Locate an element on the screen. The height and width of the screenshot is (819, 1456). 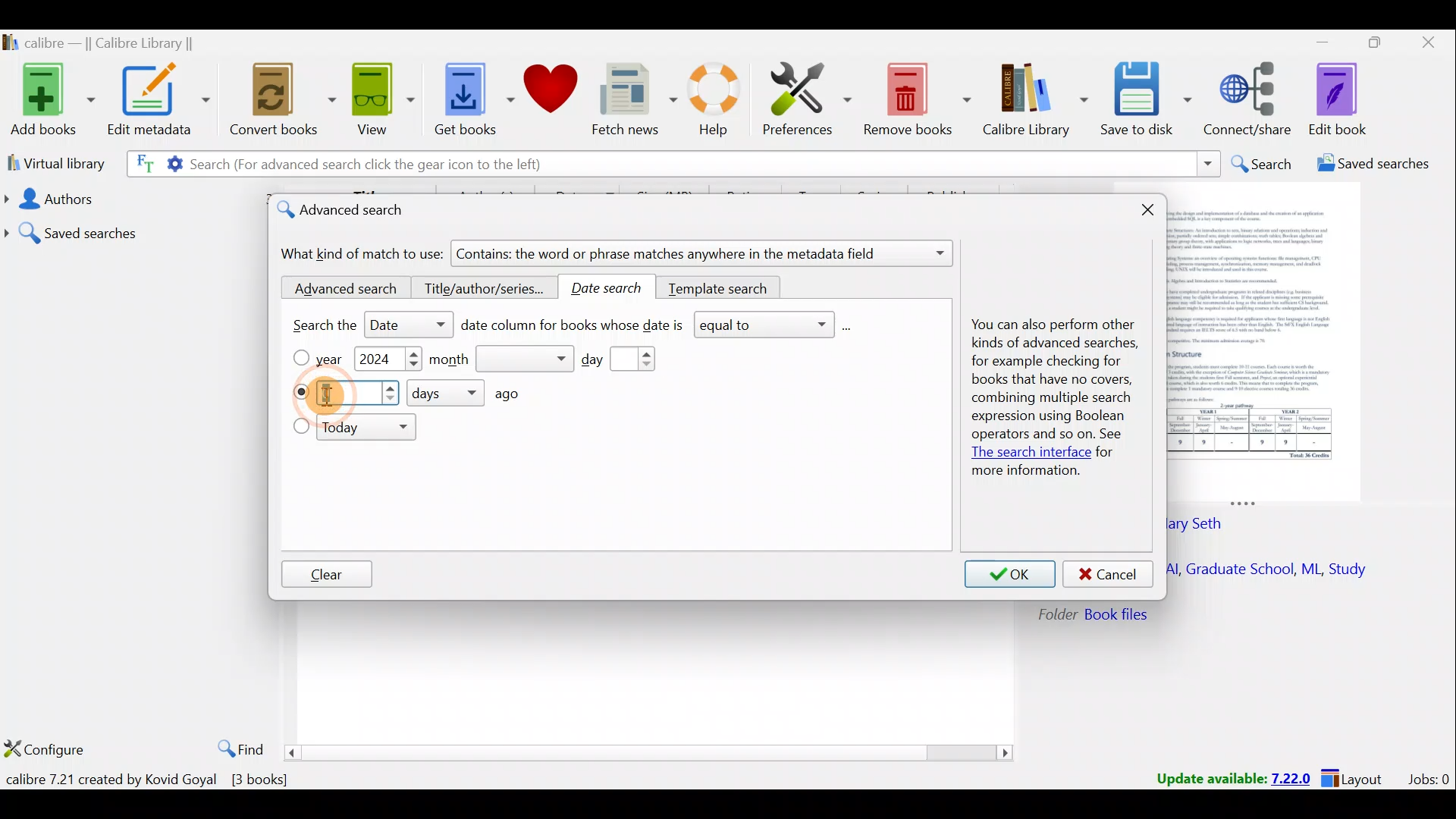
Search the date is located at coordinates (359, 327).